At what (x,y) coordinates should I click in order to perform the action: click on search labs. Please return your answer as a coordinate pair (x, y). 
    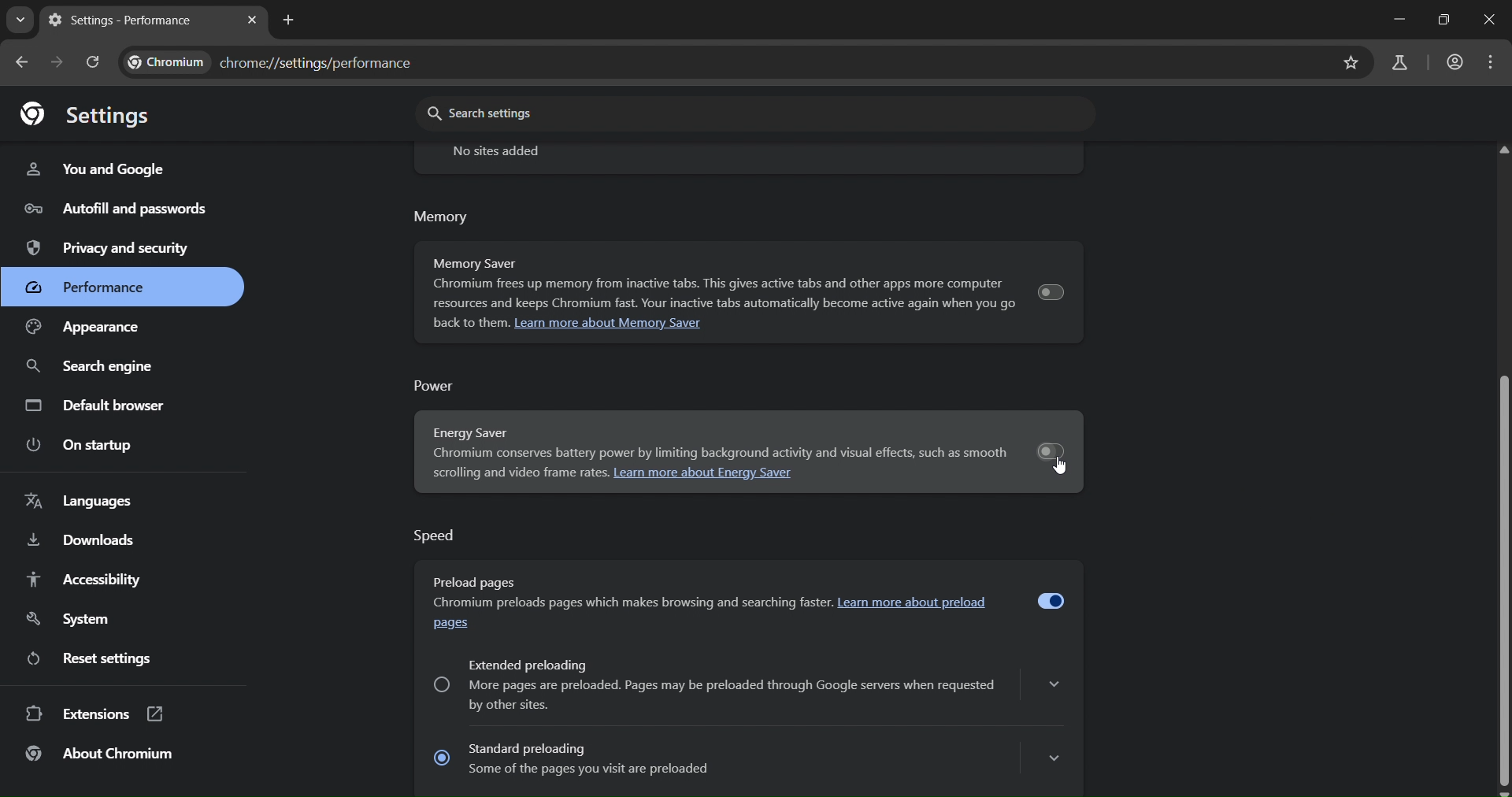
    Looking at the image, I should click on (1402, 64).